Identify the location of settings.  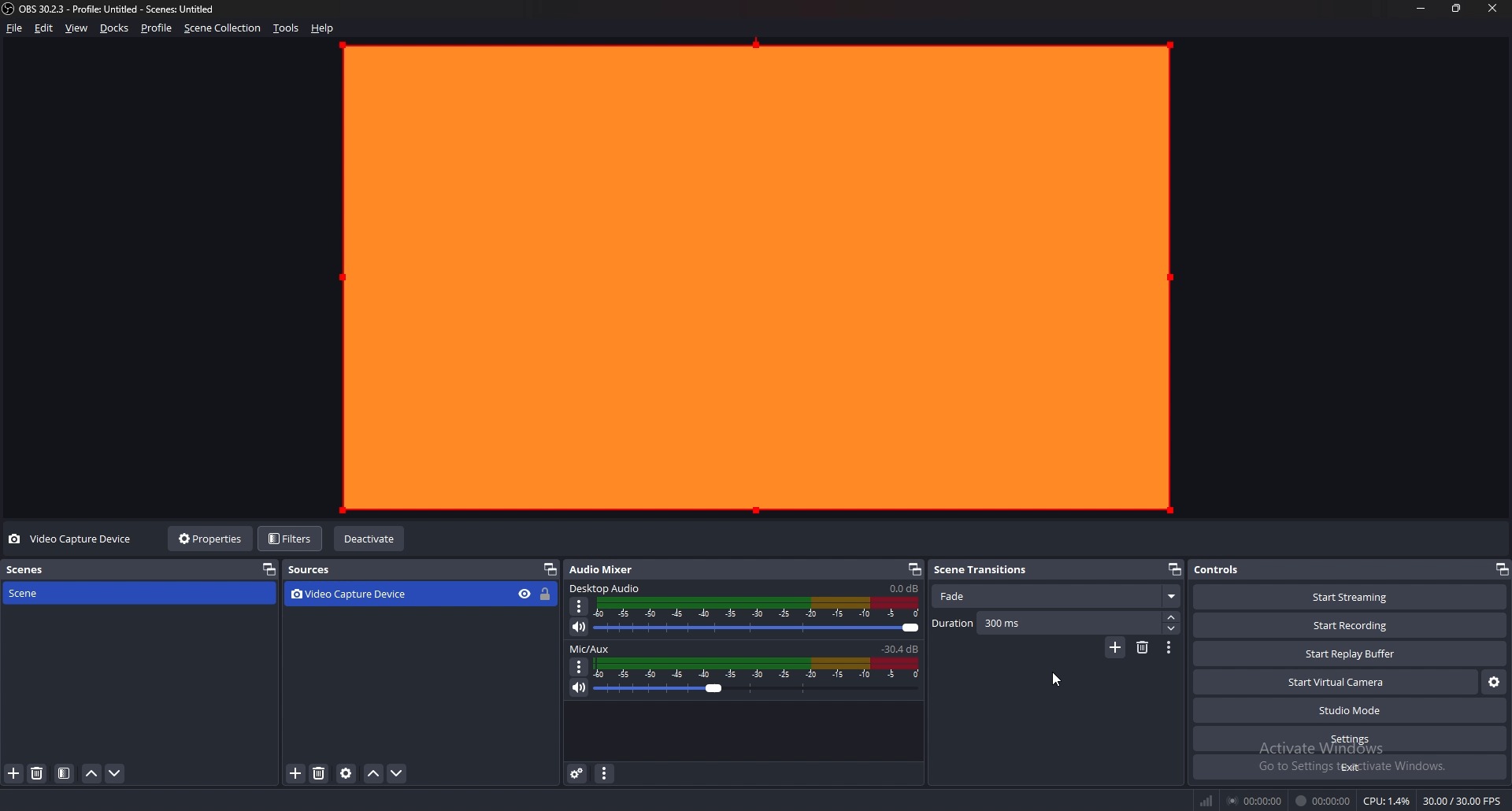
(1350, 739).